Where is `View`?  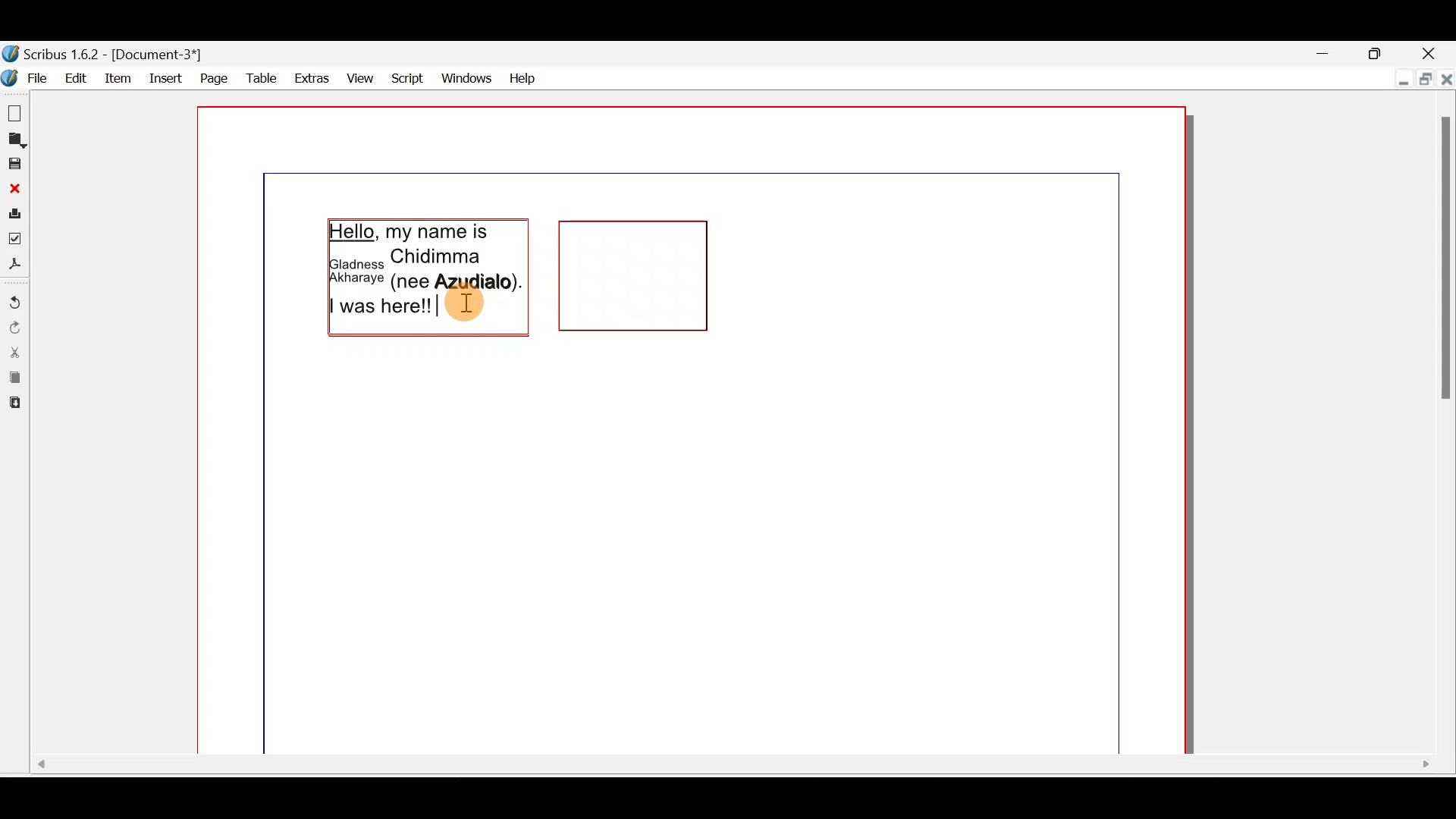
View is located at coordinates (362, 76).